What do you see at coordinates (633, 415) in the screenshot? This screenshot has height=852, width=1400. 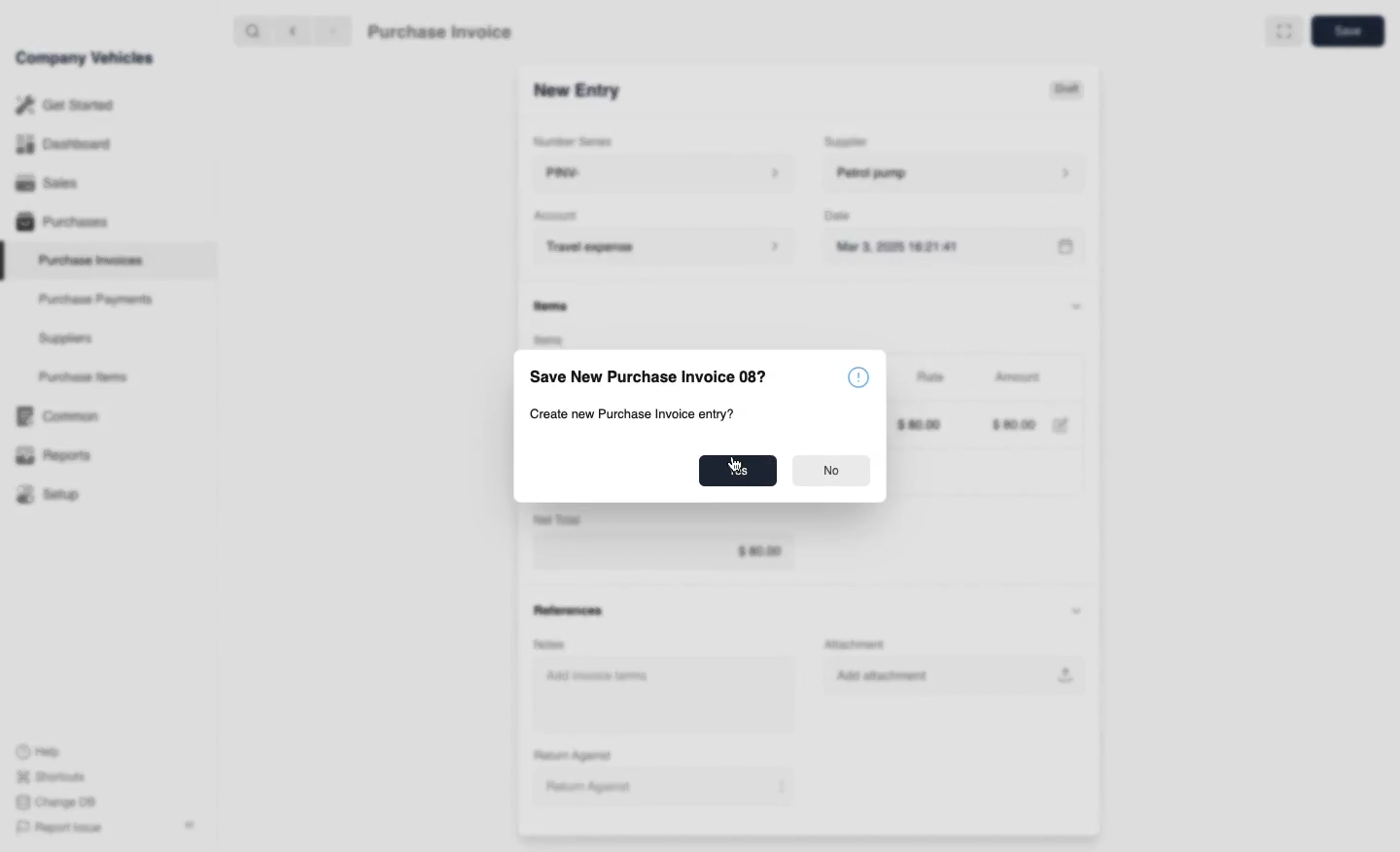 I see `Create new Purchase Invoice entry?` at bounding box center [633, 415].